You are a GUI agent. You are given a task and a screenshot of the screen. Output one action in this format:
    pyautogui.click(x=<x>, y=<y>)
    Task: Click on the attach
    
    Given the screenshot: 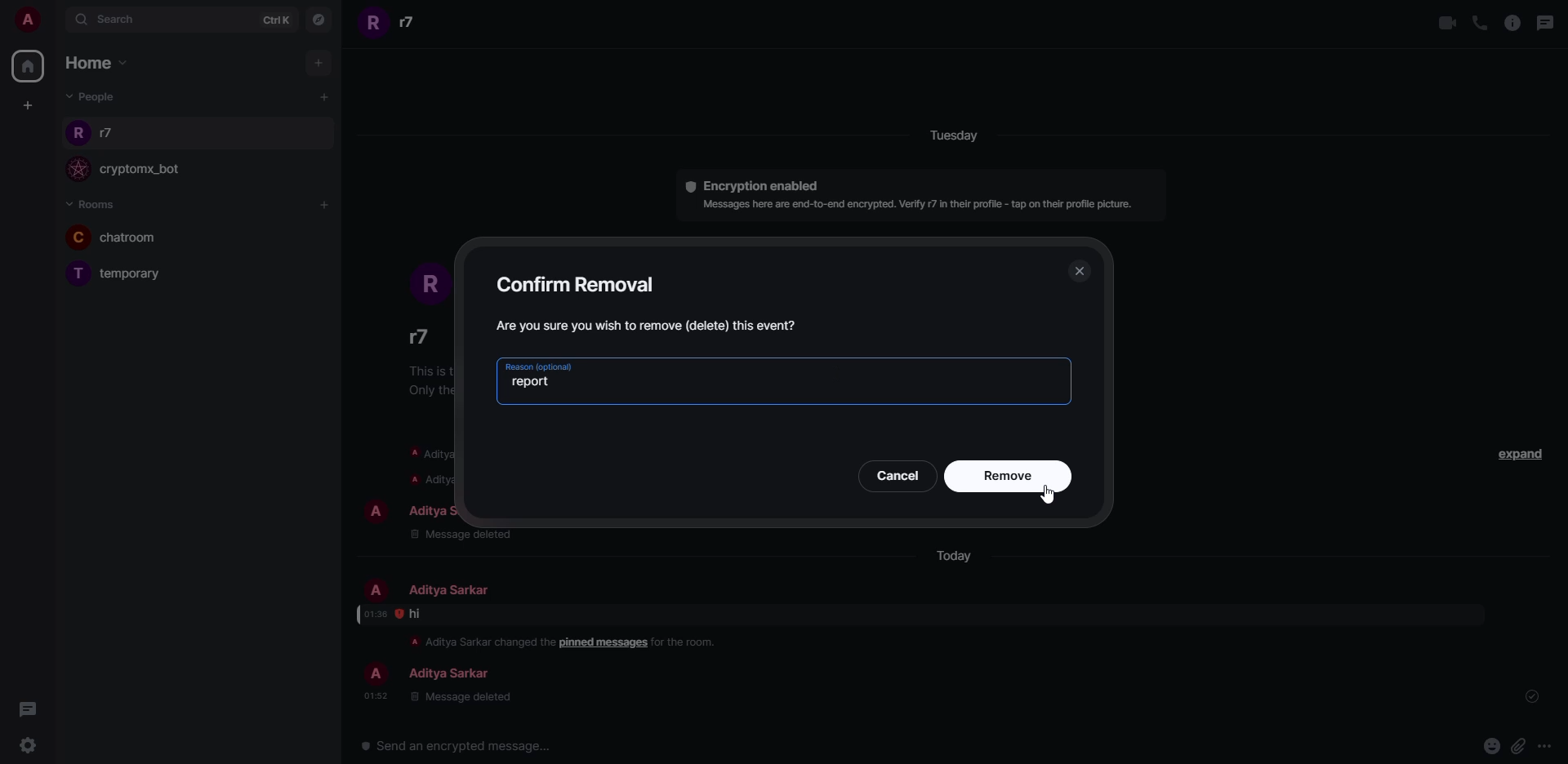 What is the action you would take?
    pyautogui.click(x=1517, y=747)
    